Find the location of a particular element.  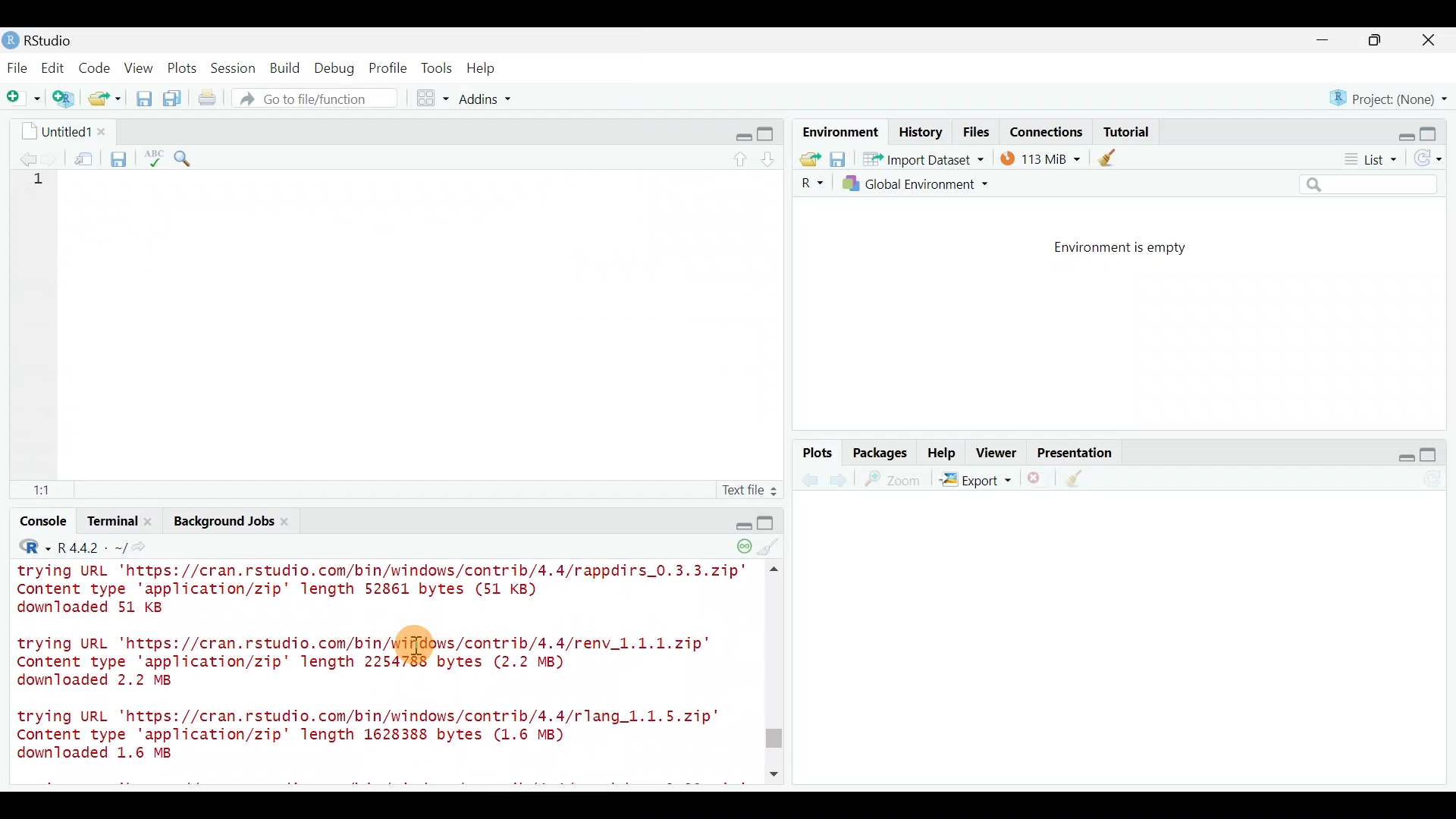

Tutorial is located at coordinates (1125, 129).